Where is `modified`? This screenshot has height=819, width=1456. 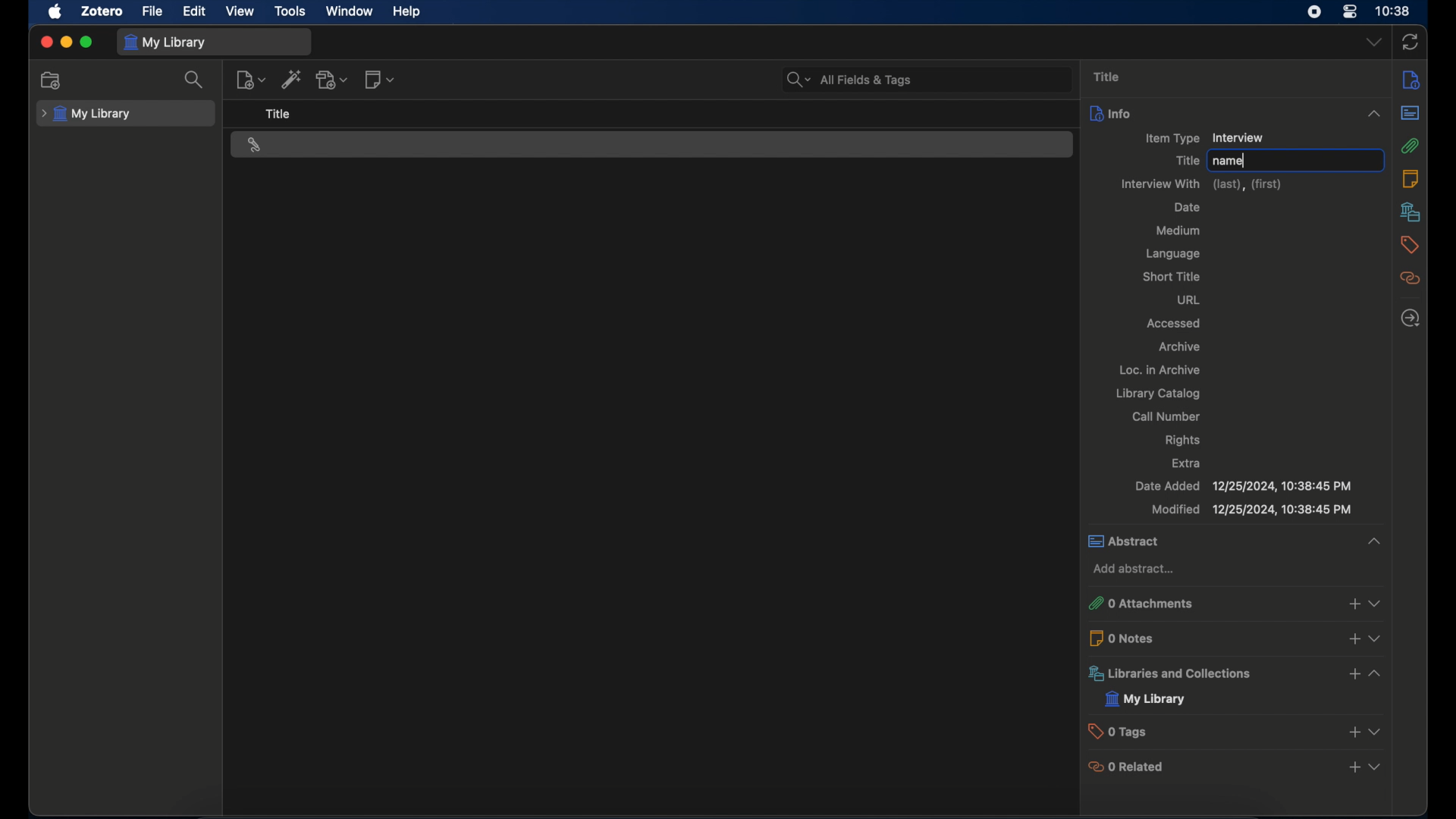 modified is located at coordinates (1251, 510).